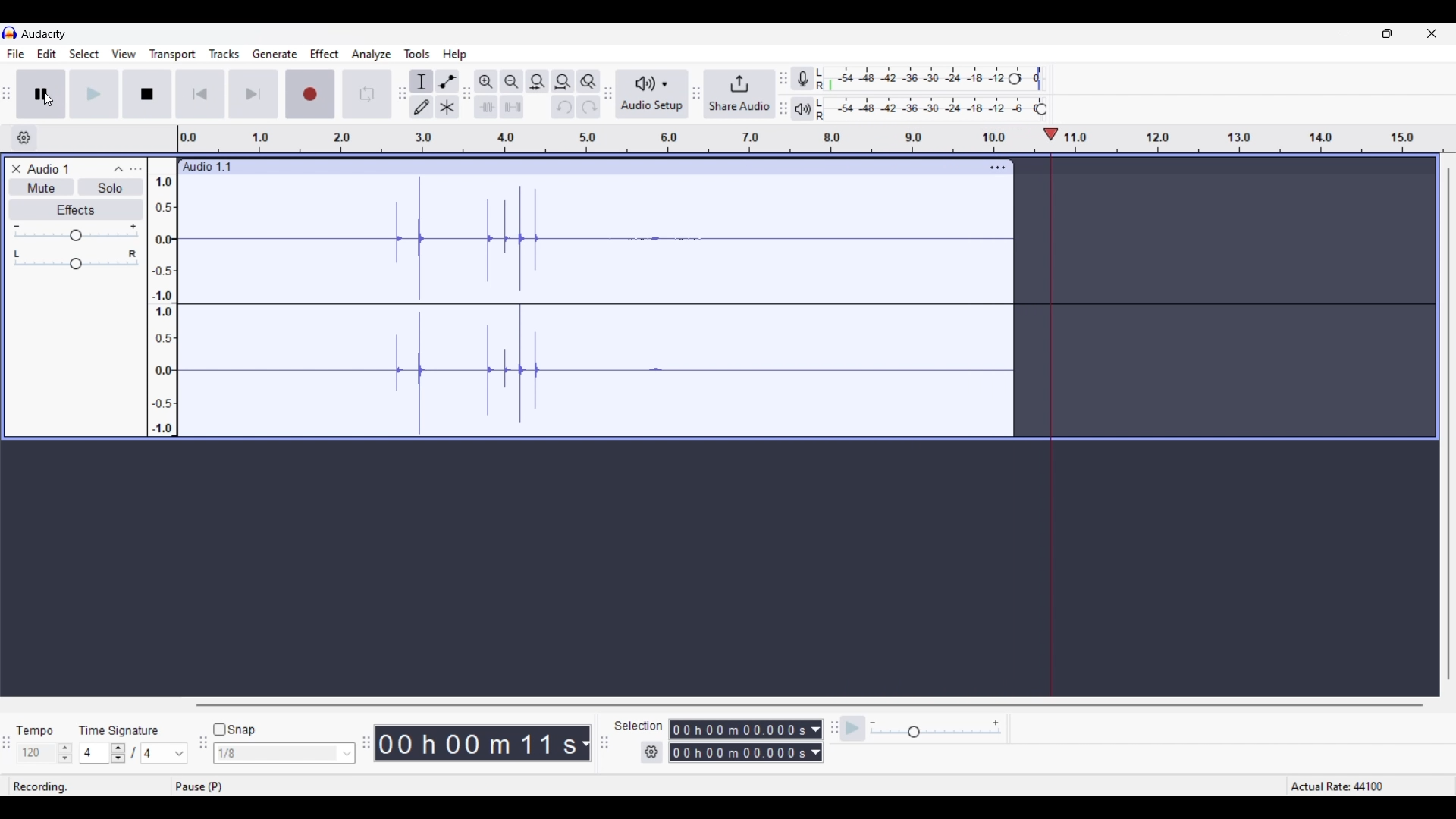 The image size is (1456, 819). I want to click on Recording level, so click(921, 77).